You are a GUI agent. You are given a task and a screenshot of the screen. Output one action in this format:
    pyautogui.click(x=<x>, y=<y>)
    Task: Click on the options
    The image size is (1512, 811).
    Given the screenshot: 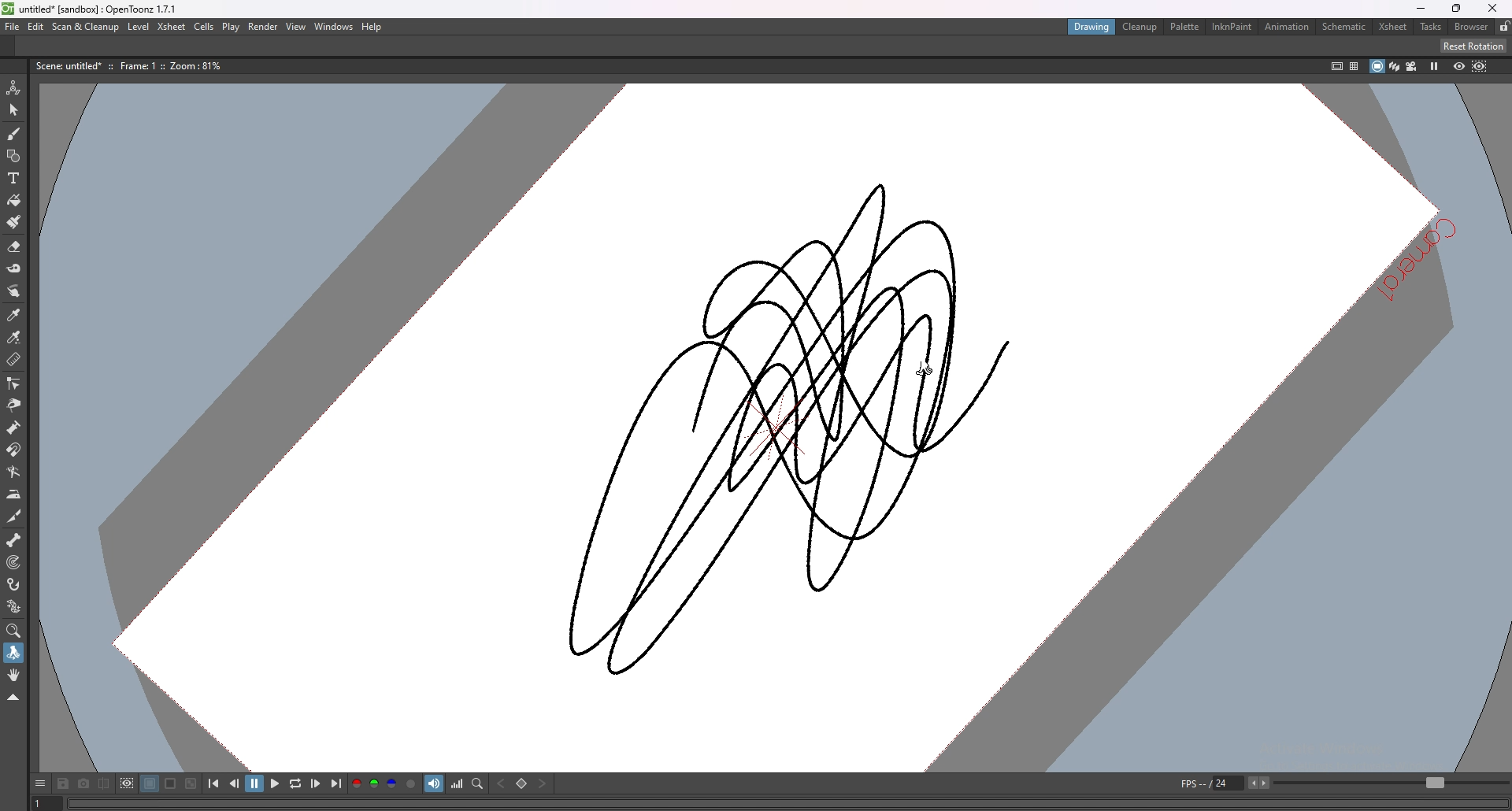 What is the action you would take?
    pyautogui.click(x=39, y=784)
    